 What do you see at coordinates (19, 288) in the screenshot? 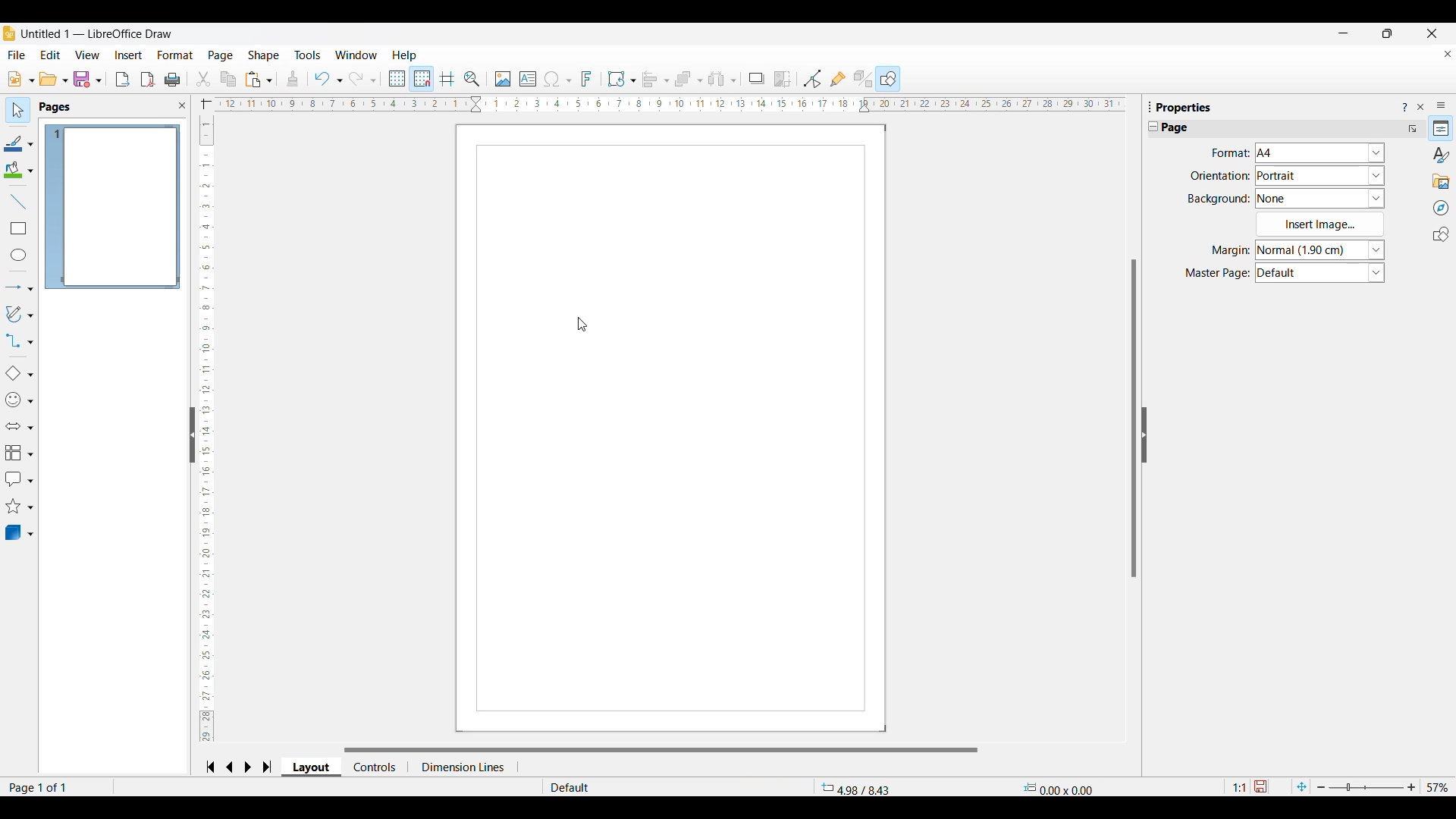
I see `Lines and arrow options` at bounding box center [19, 288].